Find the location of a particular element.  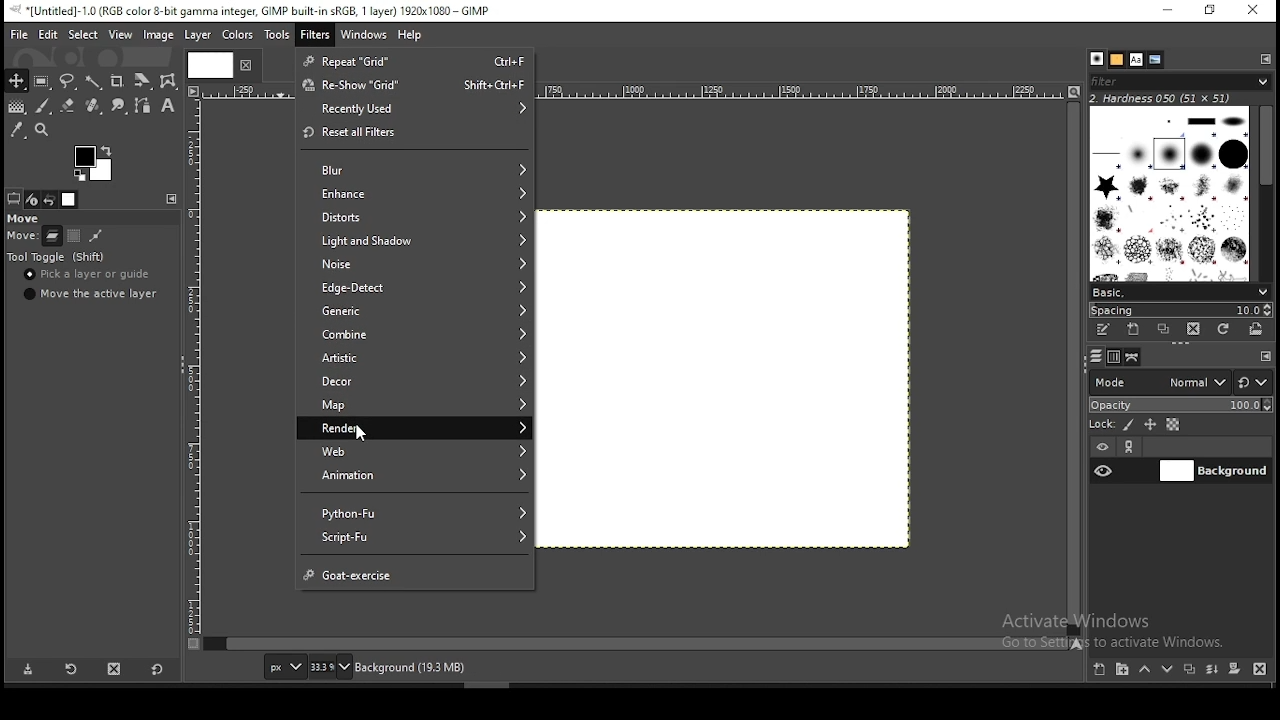

gradient tool is located at coordinates (16, 106).